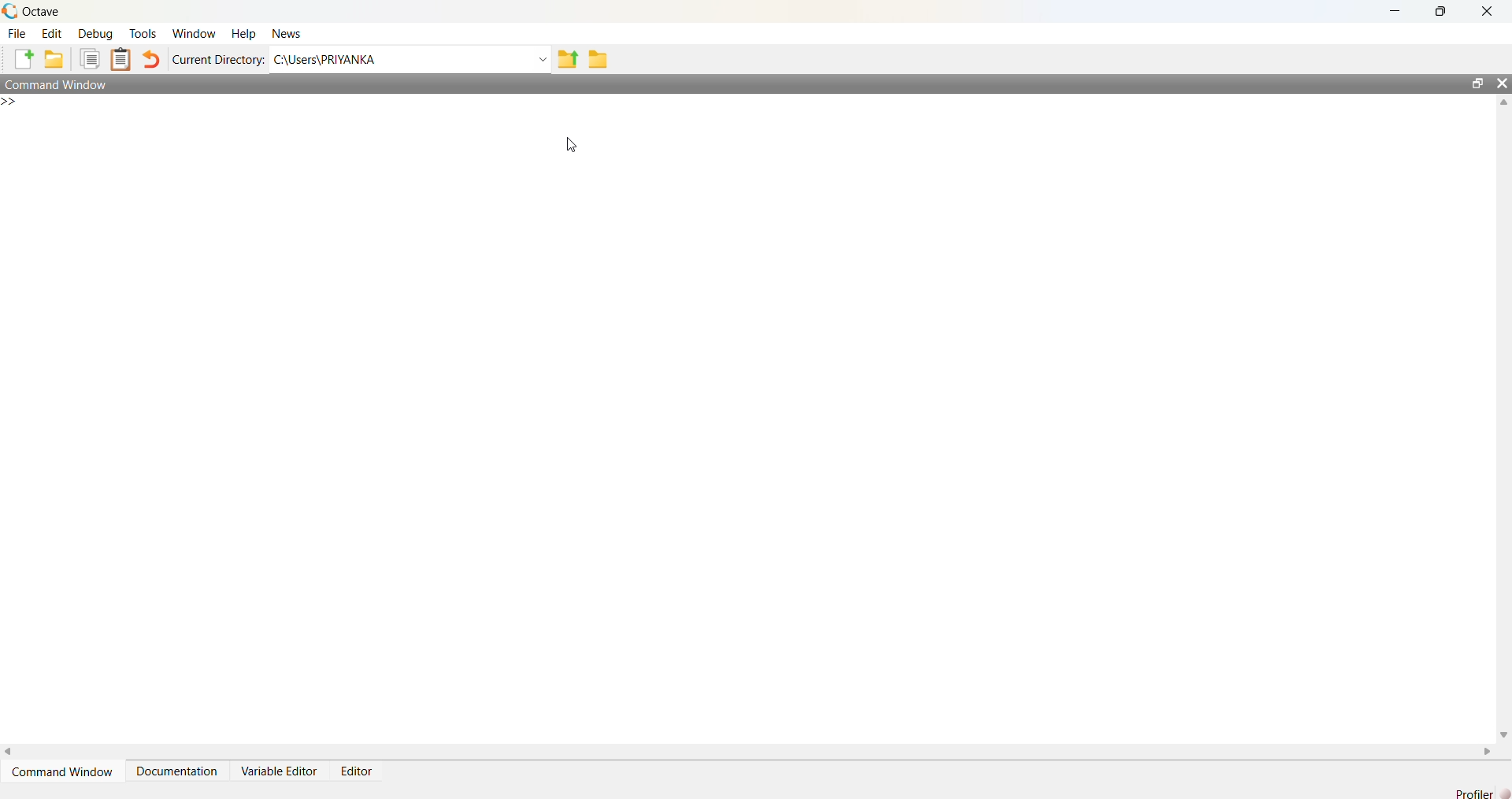 This screenshot has width=1512, height=799. Describe the element at coordinates (288, 32) in the screenshot. I see `News` at that location.